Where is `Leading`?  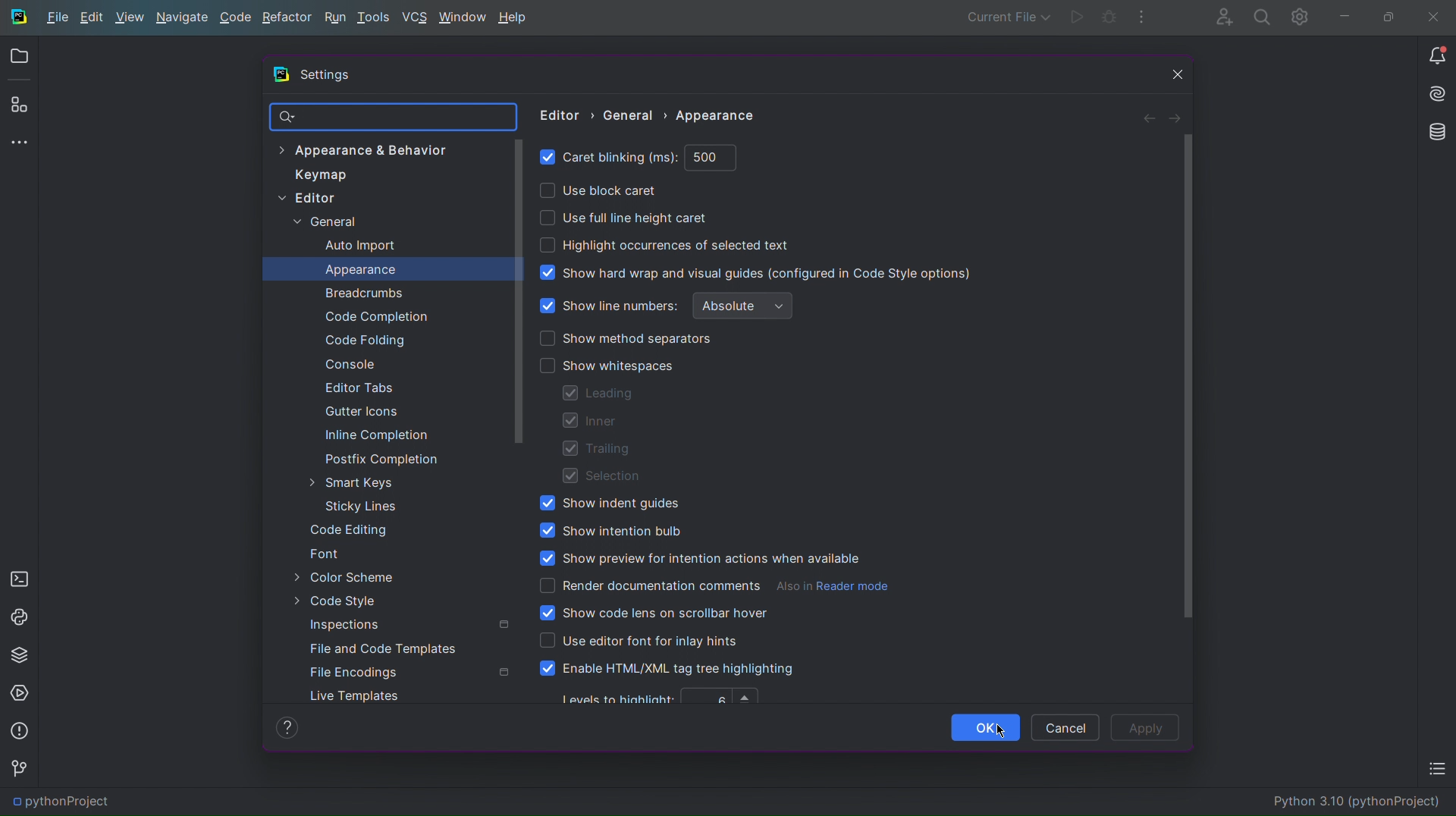
Leading is located at coordinates (602, 394).